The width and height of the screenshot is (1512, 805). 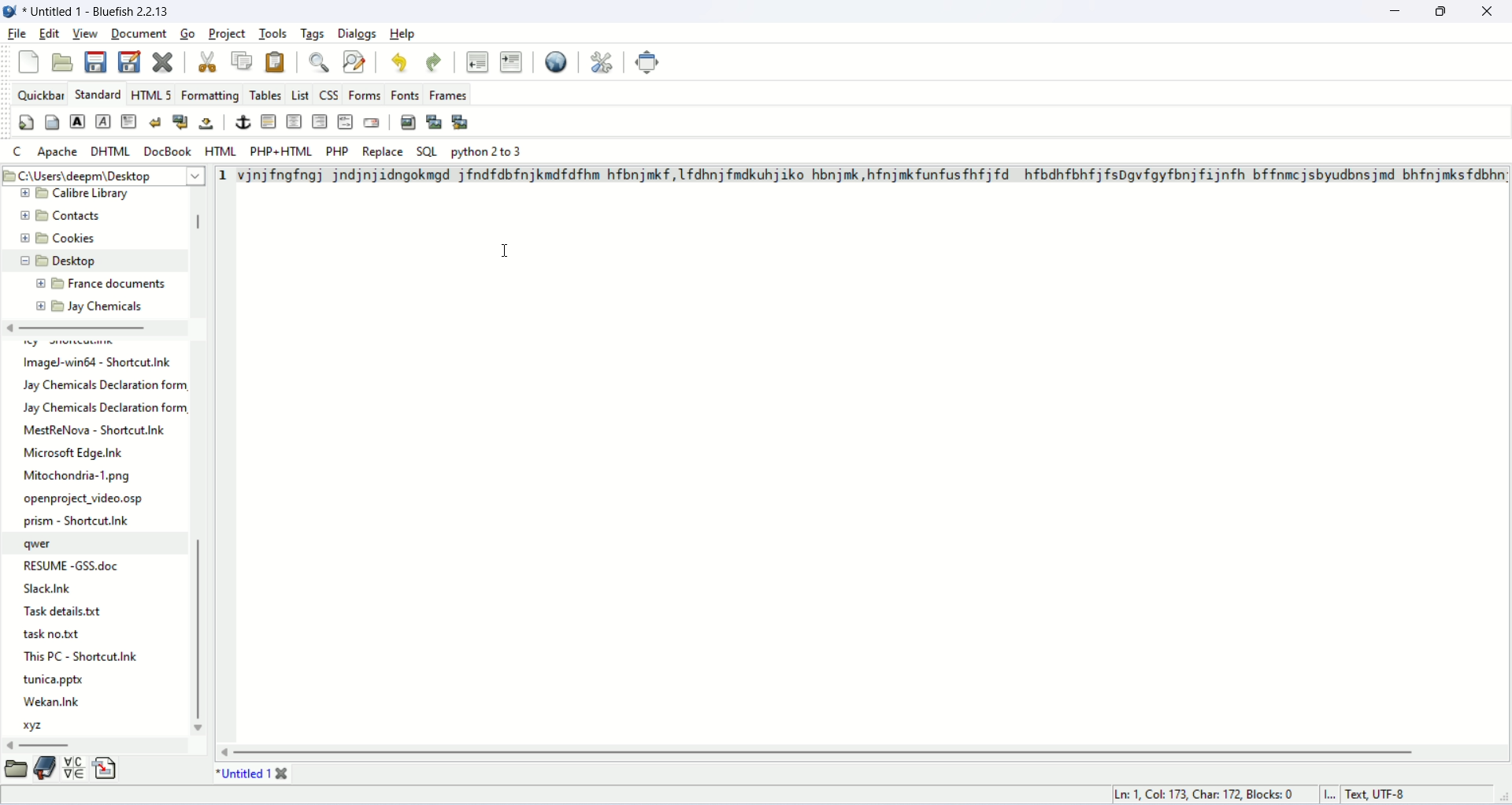 I want to click on browse file, so click(x=19, y=770).